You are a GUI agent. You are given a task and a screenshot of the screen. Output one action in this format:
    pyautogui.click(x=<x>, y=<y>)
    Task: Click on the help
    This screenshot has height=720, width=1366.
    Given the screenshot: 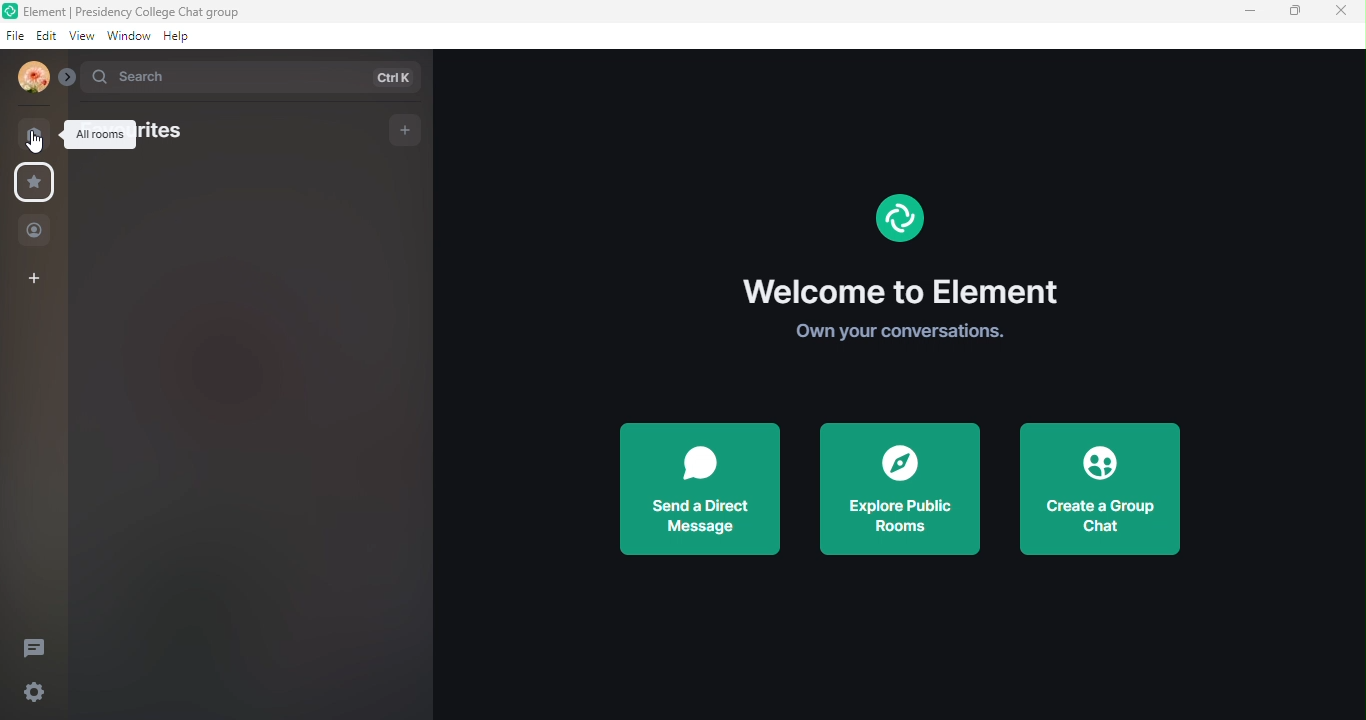 What is the action you would take?
    pyautogui.click(x=176, y=39)
    